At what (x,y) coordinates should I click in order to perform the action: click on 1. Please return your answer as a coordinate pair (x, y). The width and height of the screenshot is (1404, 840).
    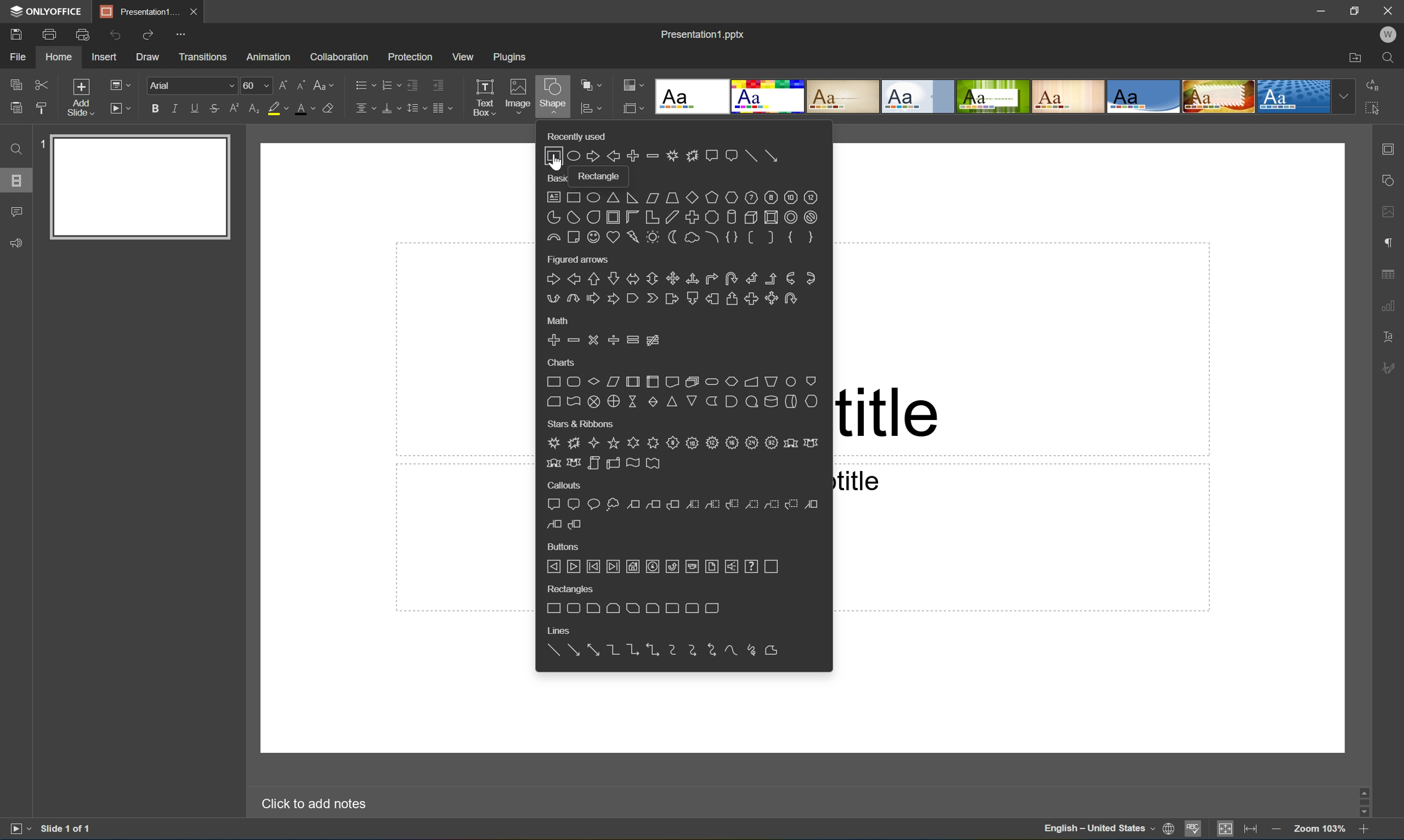
    Looking at the image, I should click on (38, 146).